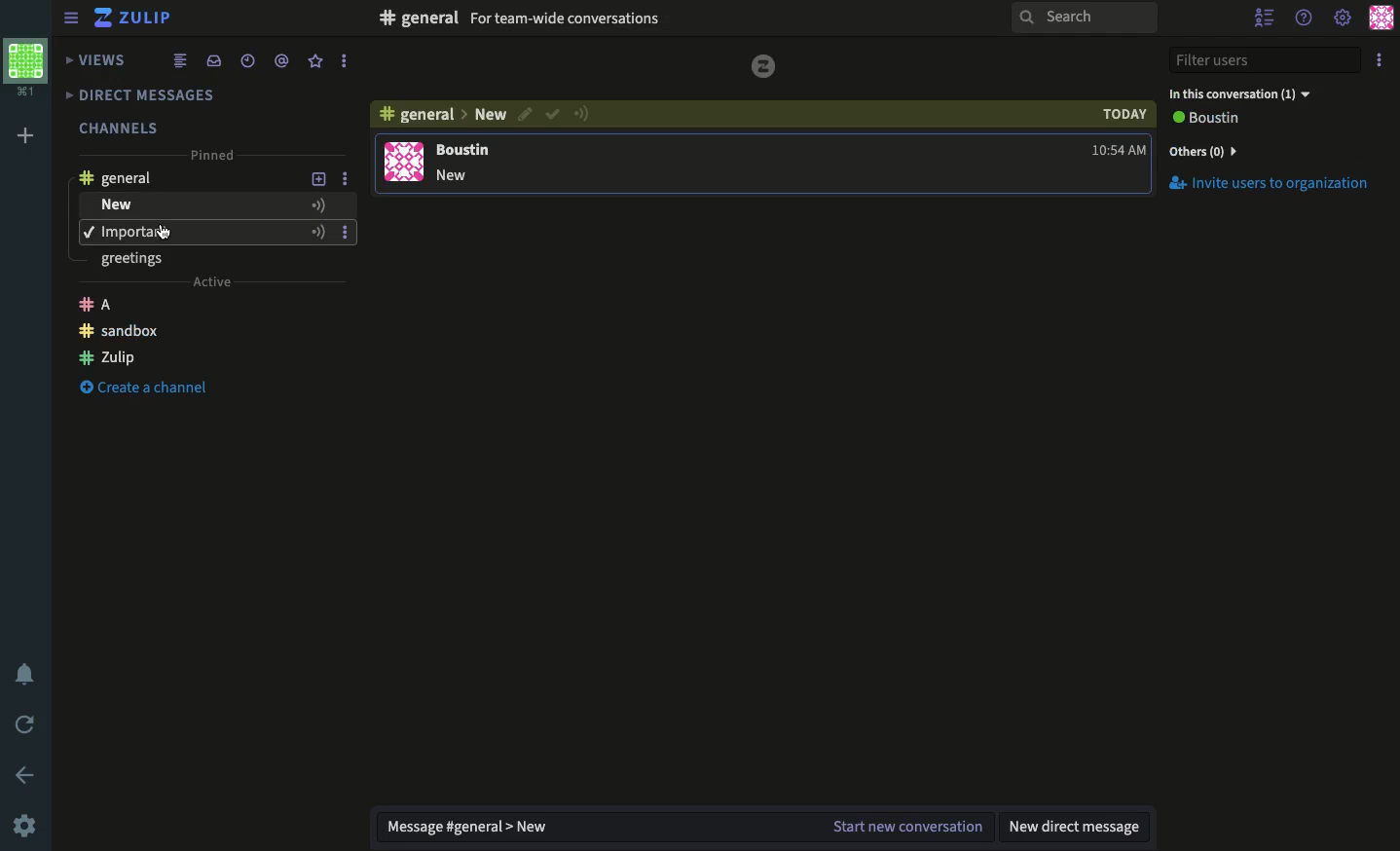  What do you see at coordinates (1266, 58) in the screenshot?
I see `Filter users` at bounding box center [1266, 58].